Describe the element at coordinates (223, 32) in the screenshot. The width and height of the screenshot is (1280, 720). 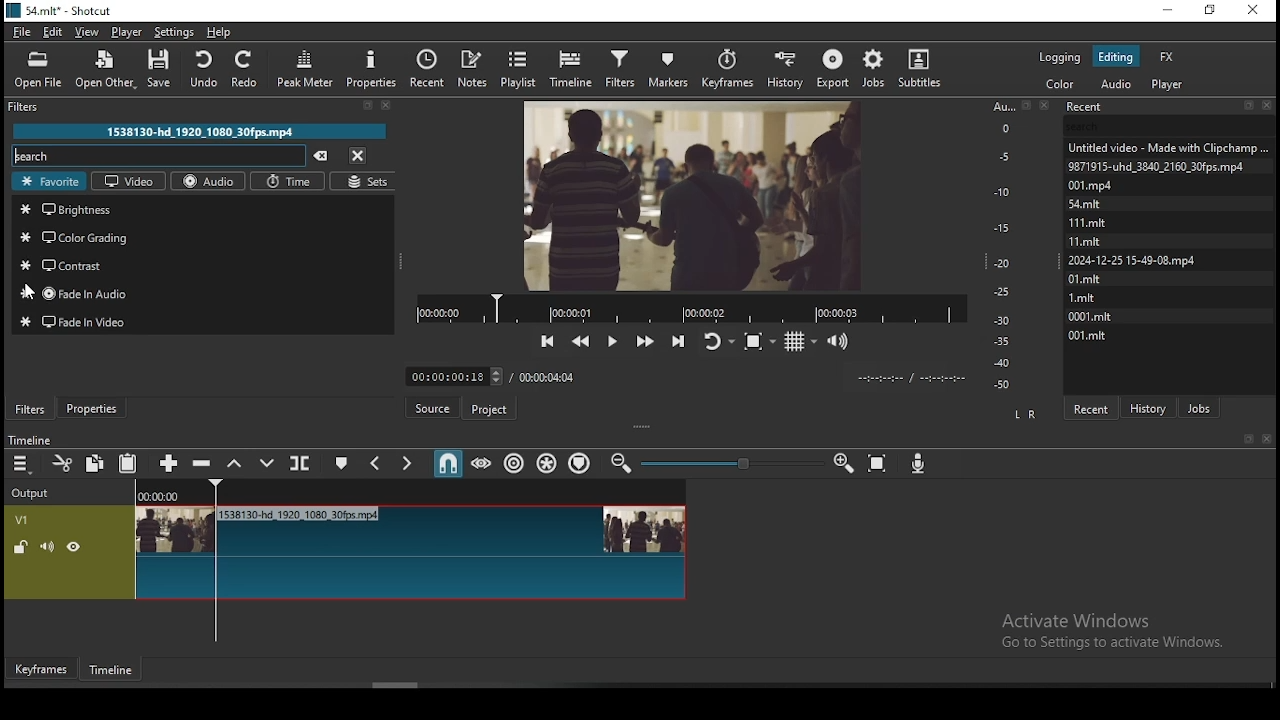
I see `help` at that location.